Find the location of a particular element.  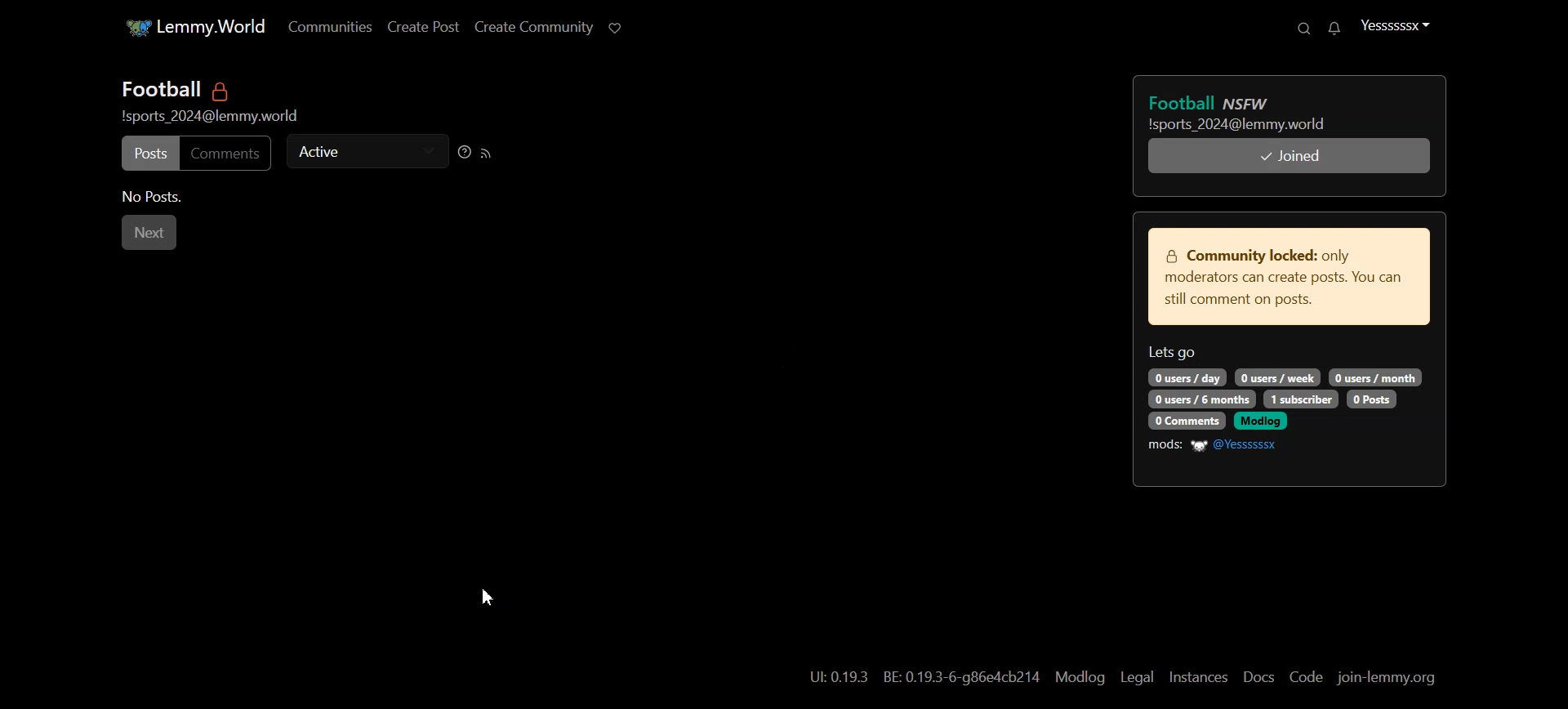

Unread message is located at coordinates (1328, 29).